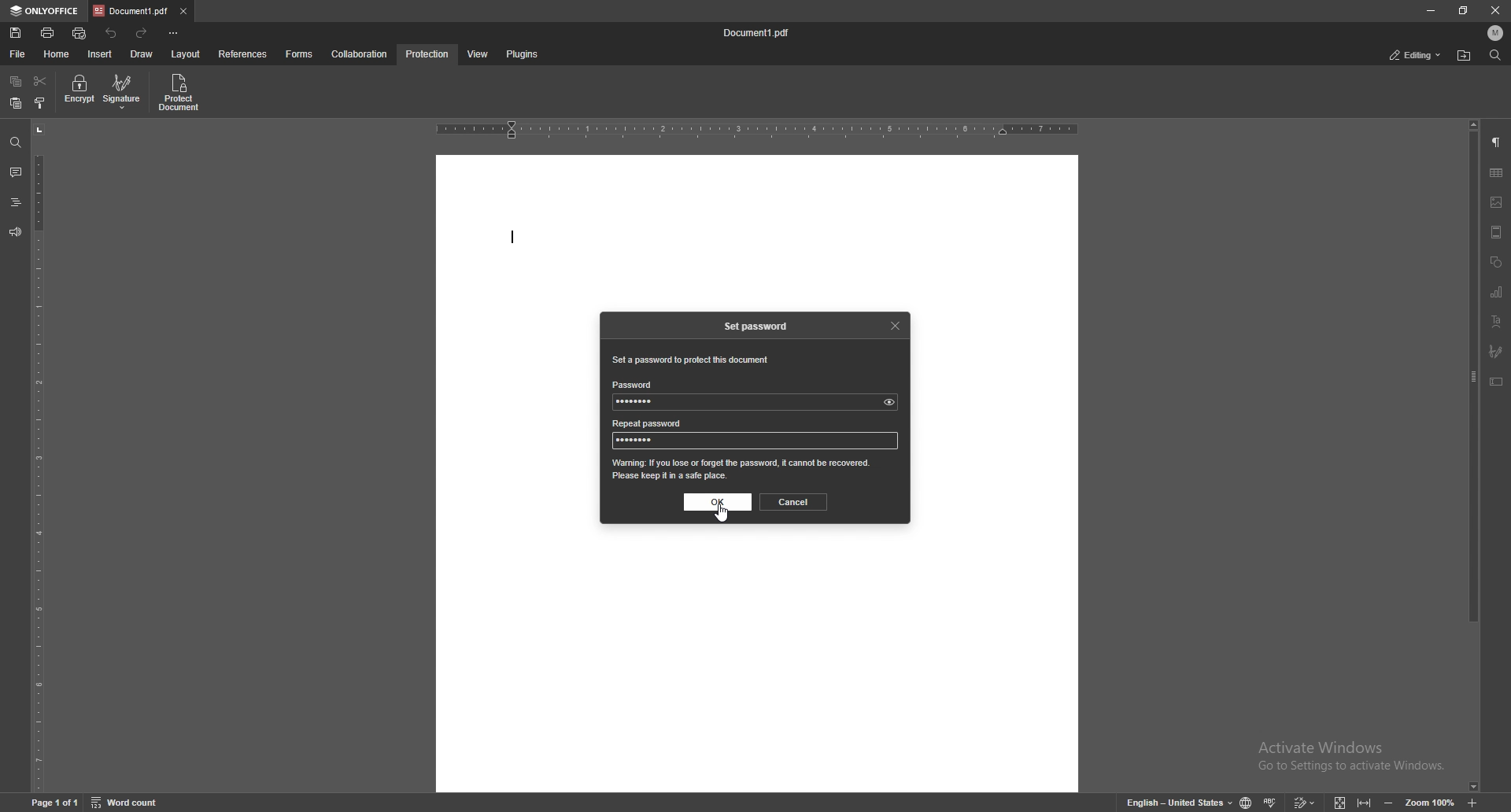  Describe the element at coordinates (242, 55) in the screenshot. I see `references` at that location.